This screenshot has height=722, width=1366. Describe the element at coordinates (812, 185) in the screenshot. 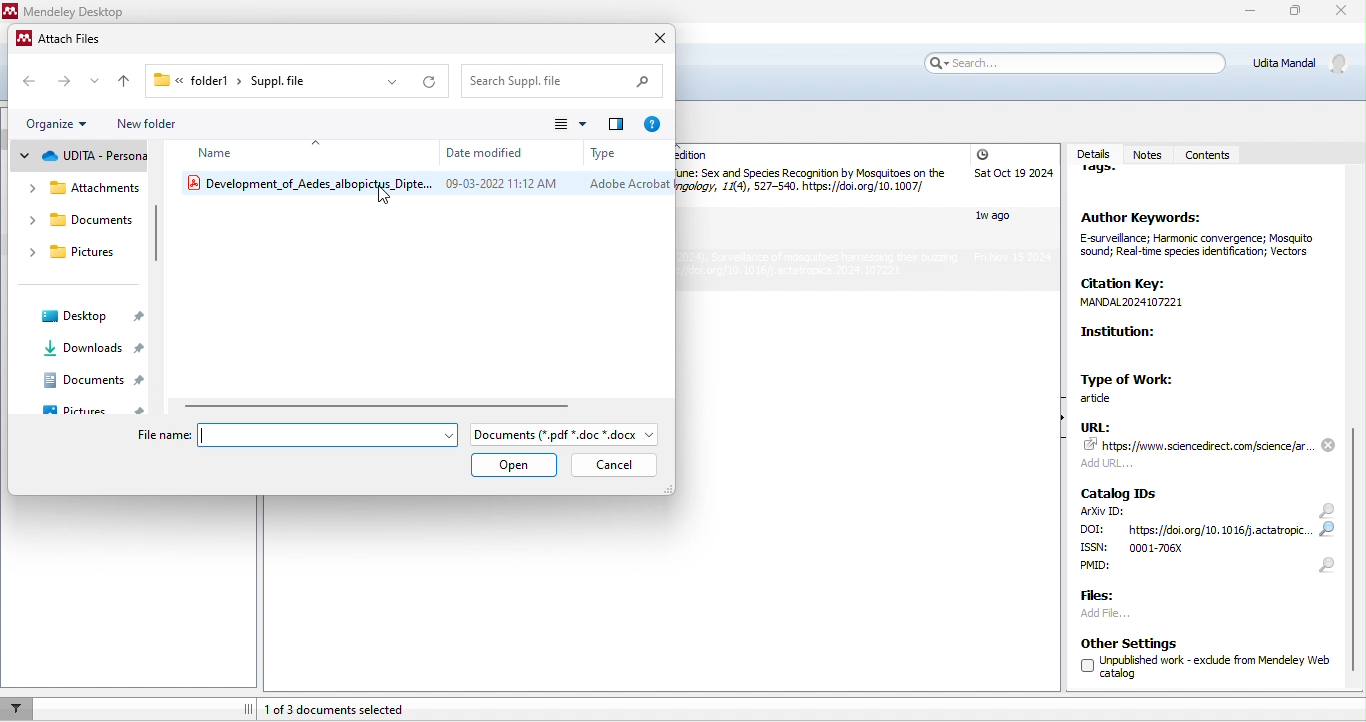

I see `article by Gibson and Russel, 2010` at that location.